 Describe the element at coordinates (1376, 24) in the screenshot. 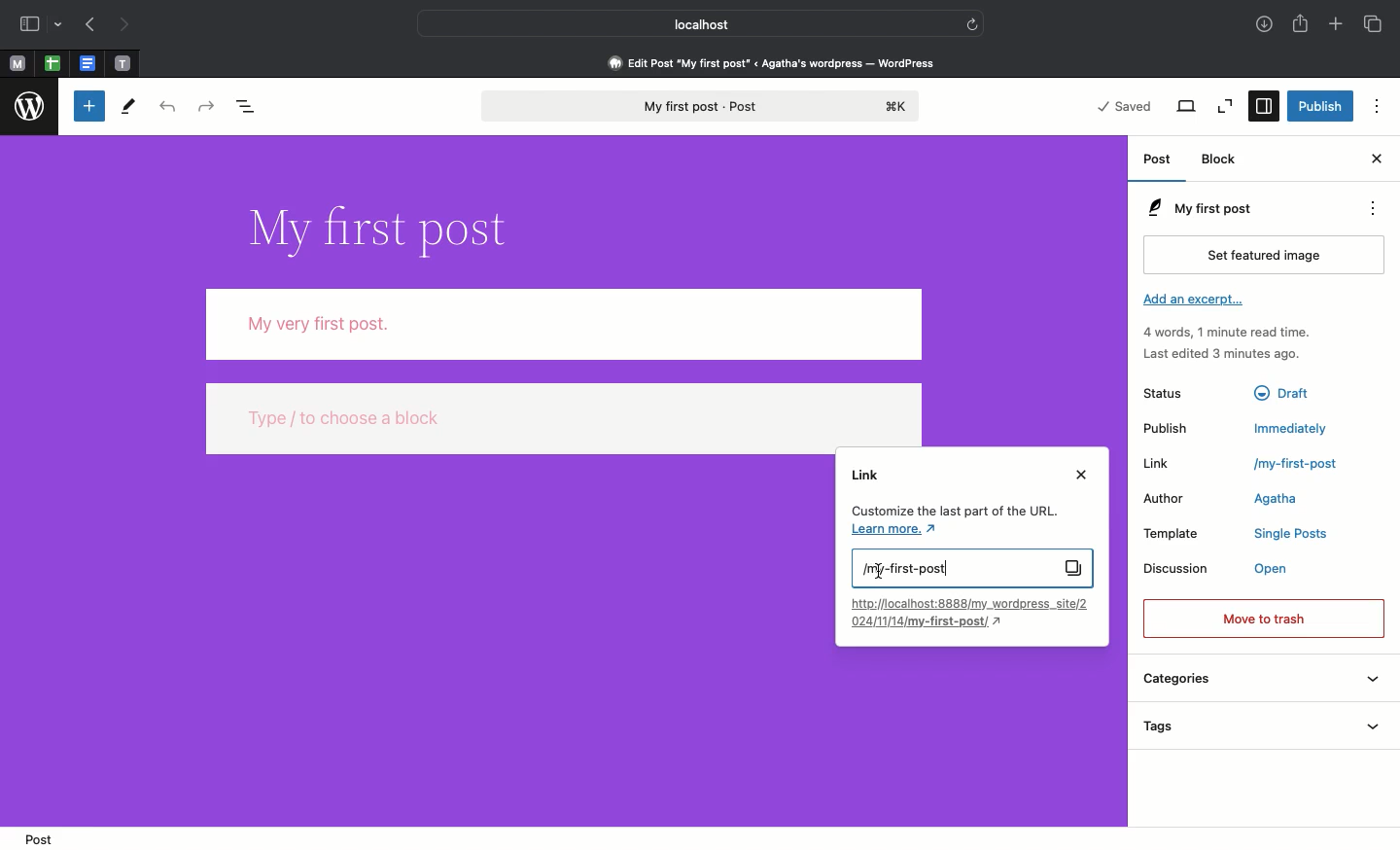

I see `Tabs` at that location.